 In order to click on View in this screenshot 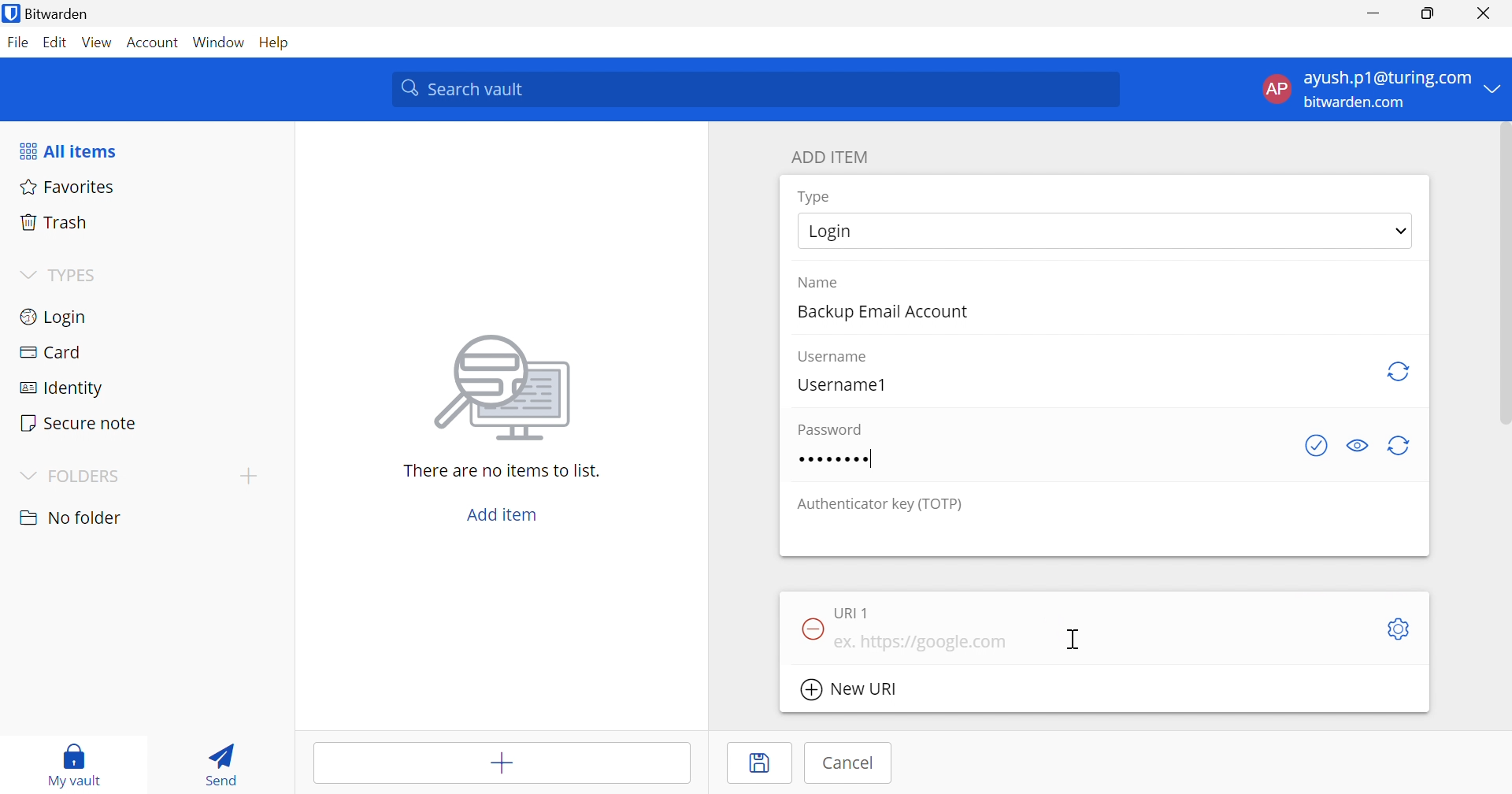, I will do `click(98, 43)`.